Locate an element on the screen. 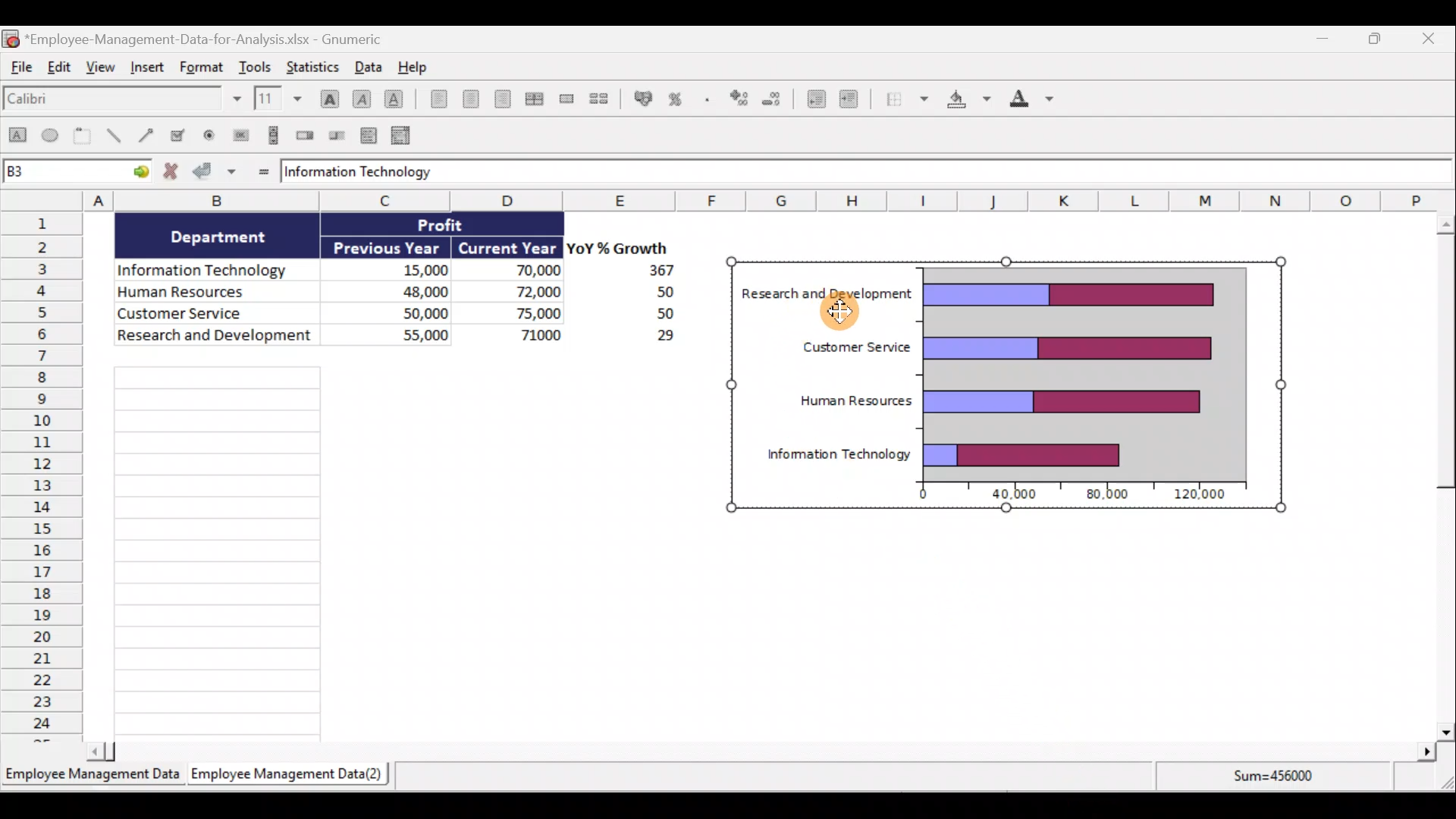  Font size is located at coordinates (281, 99).